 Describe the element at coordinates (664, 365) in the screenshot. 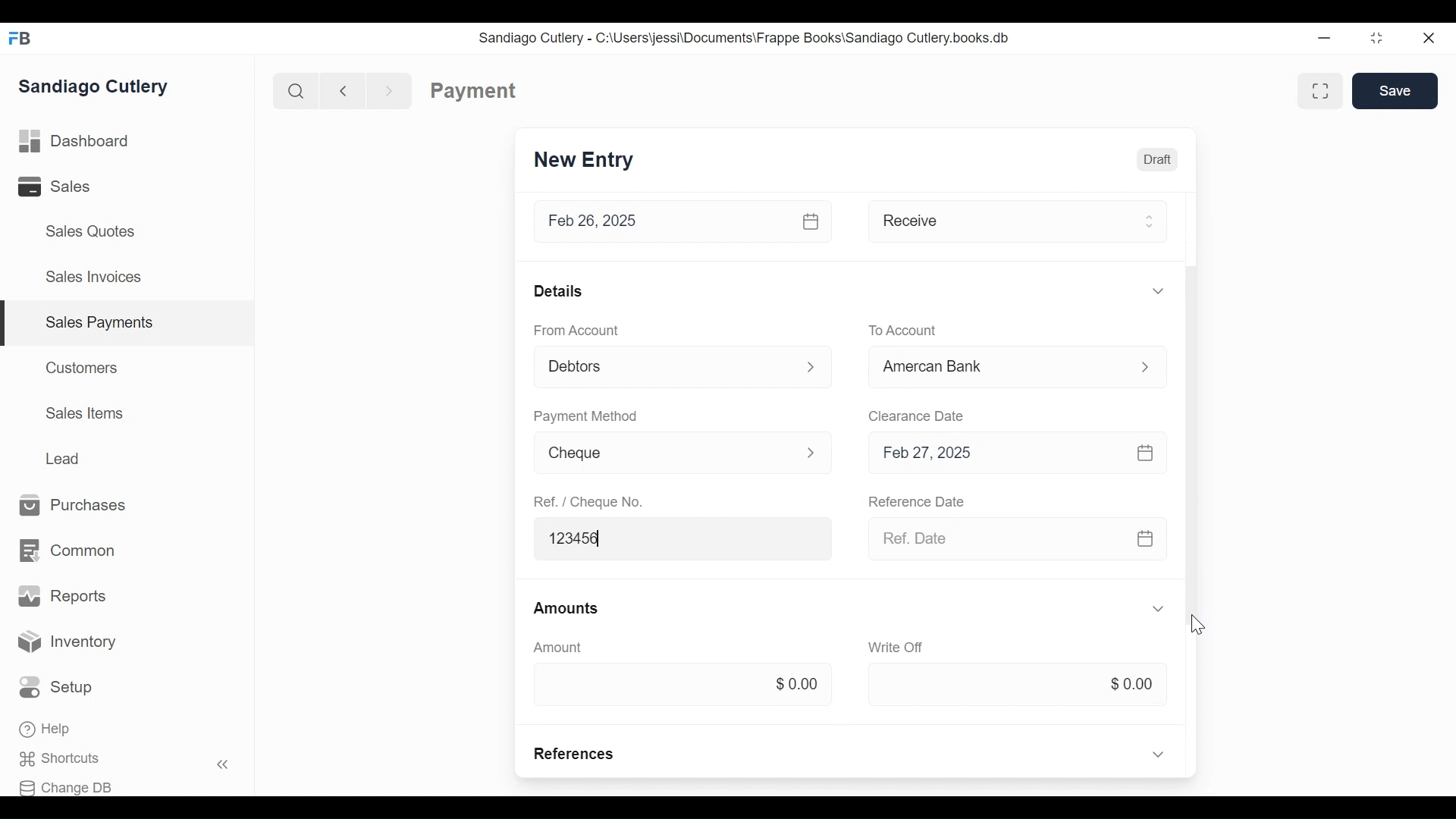

I see `Debtors` at that location.